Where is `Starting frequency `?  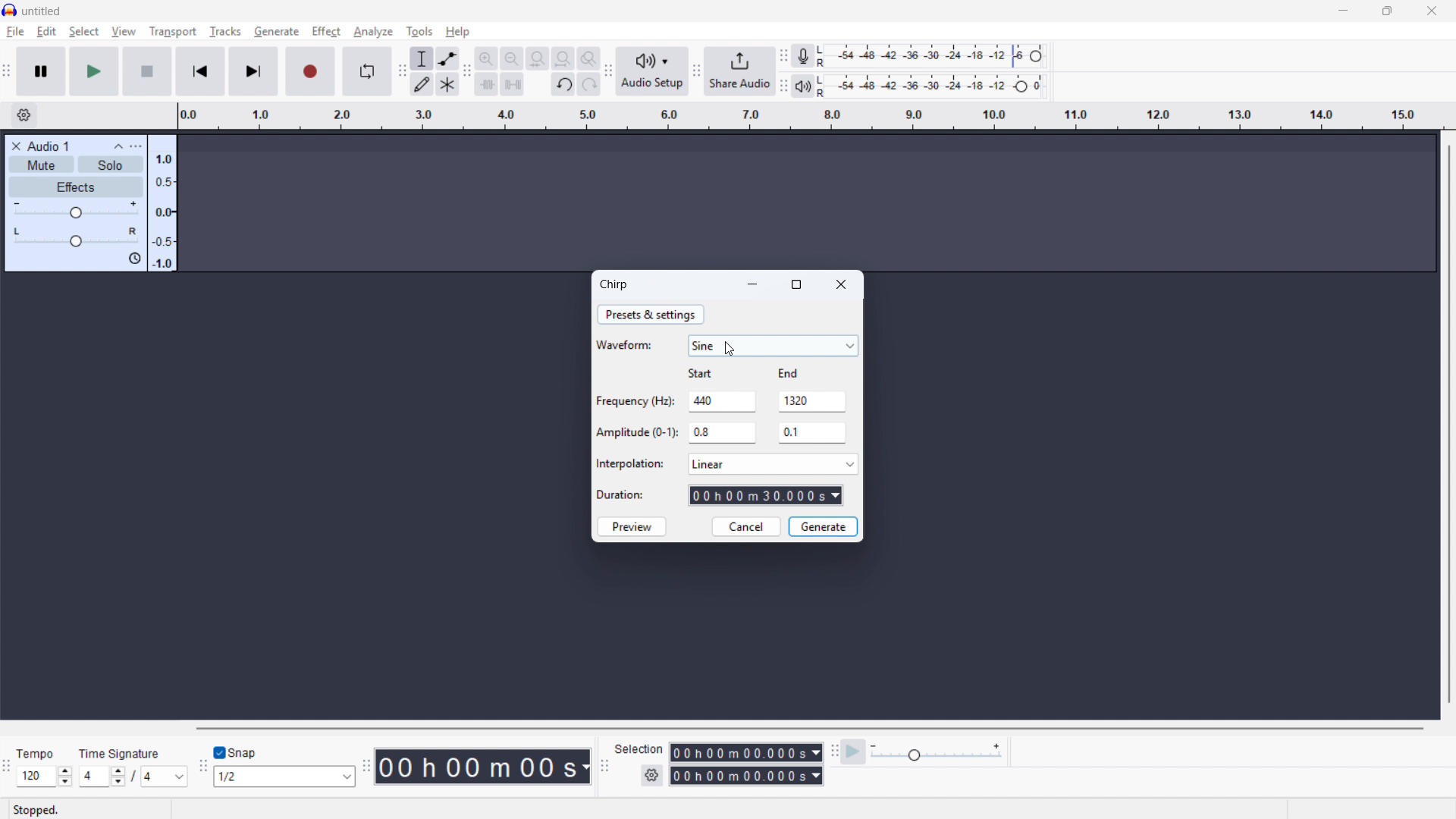
Starting frequency  is located at coordinates (723, 401).